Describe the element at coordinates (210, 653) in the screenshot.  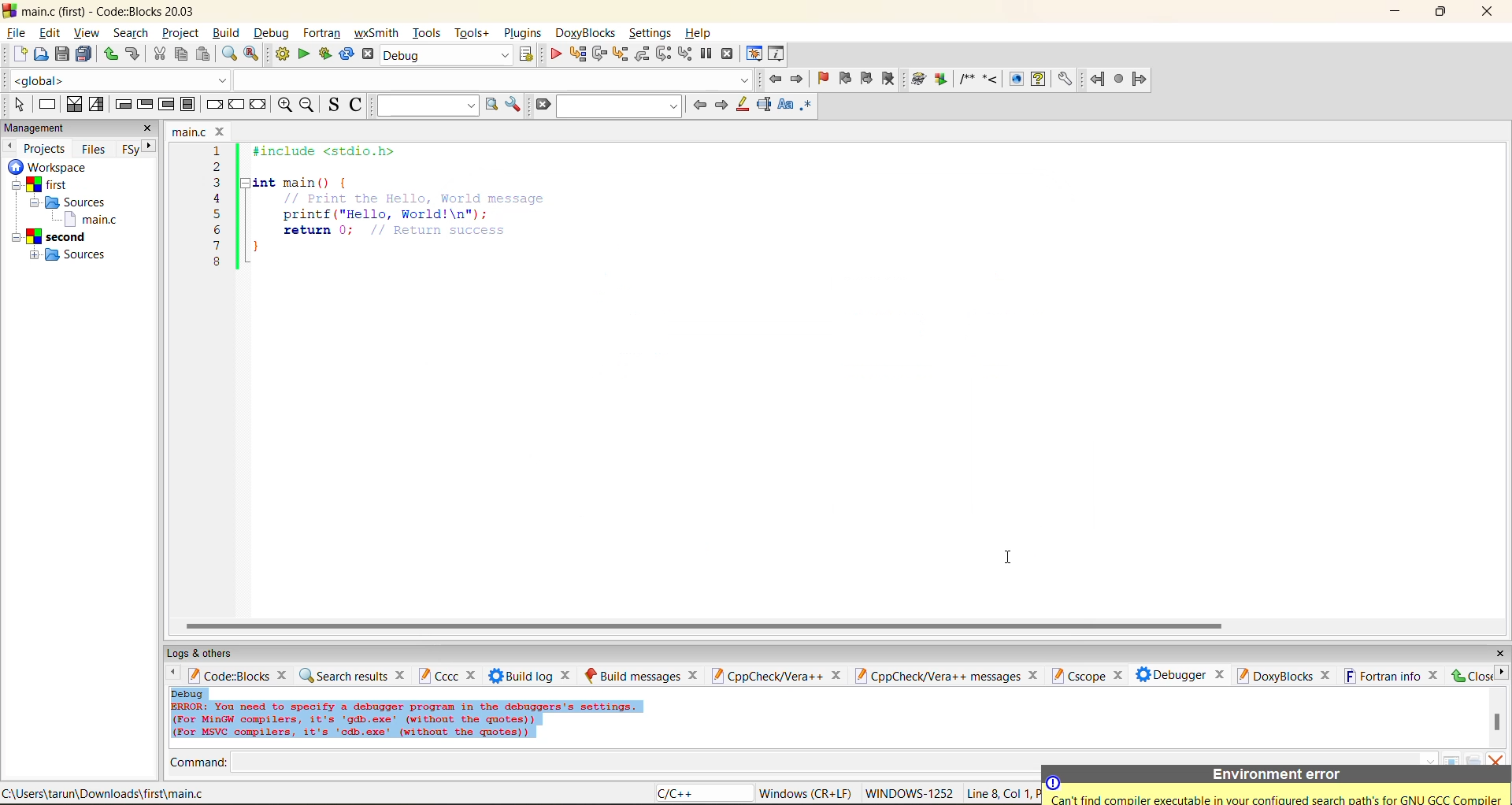
I see `logs and others` at that location.